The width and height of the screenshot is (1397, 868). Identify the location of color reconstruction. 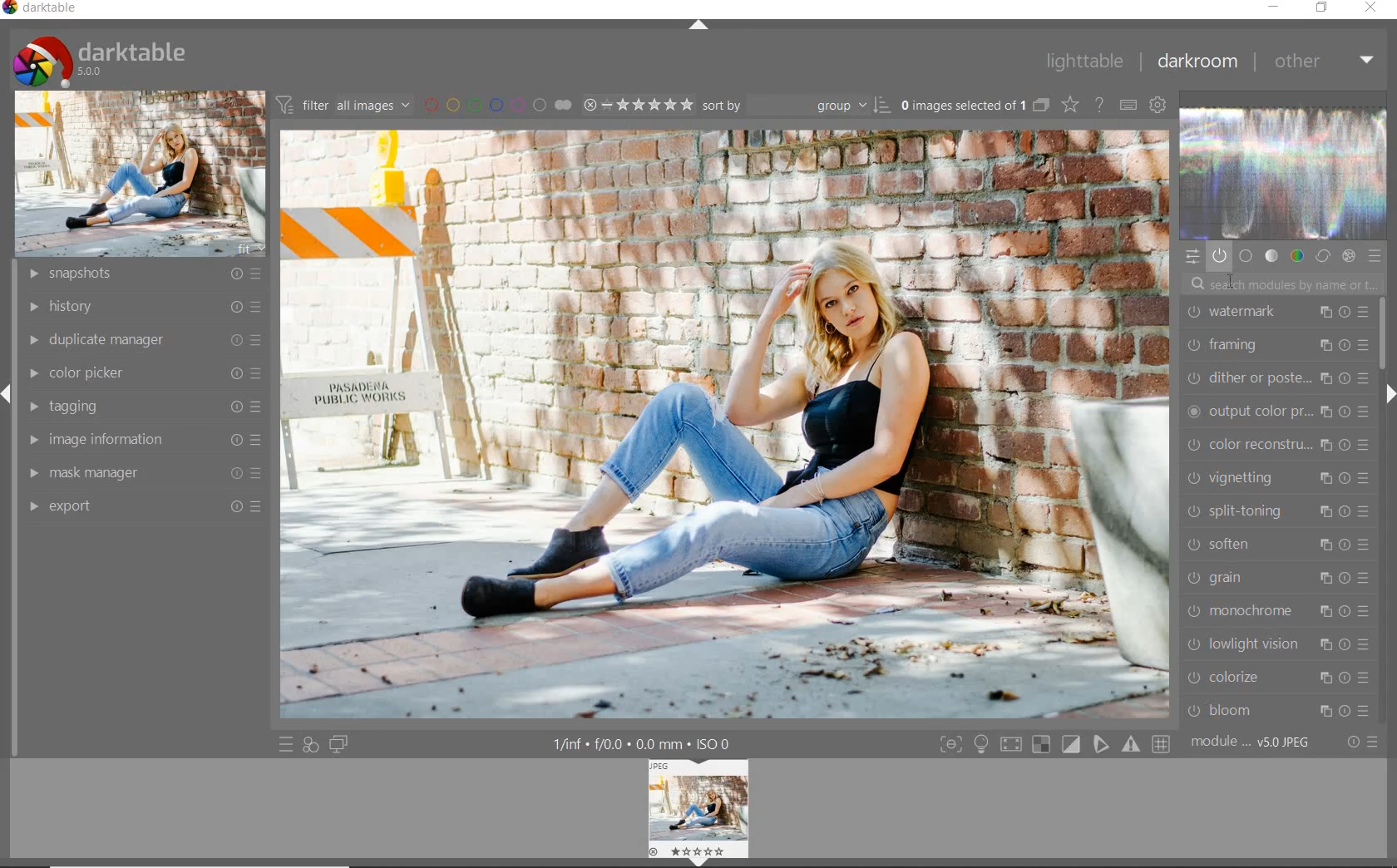
(1275, 446).